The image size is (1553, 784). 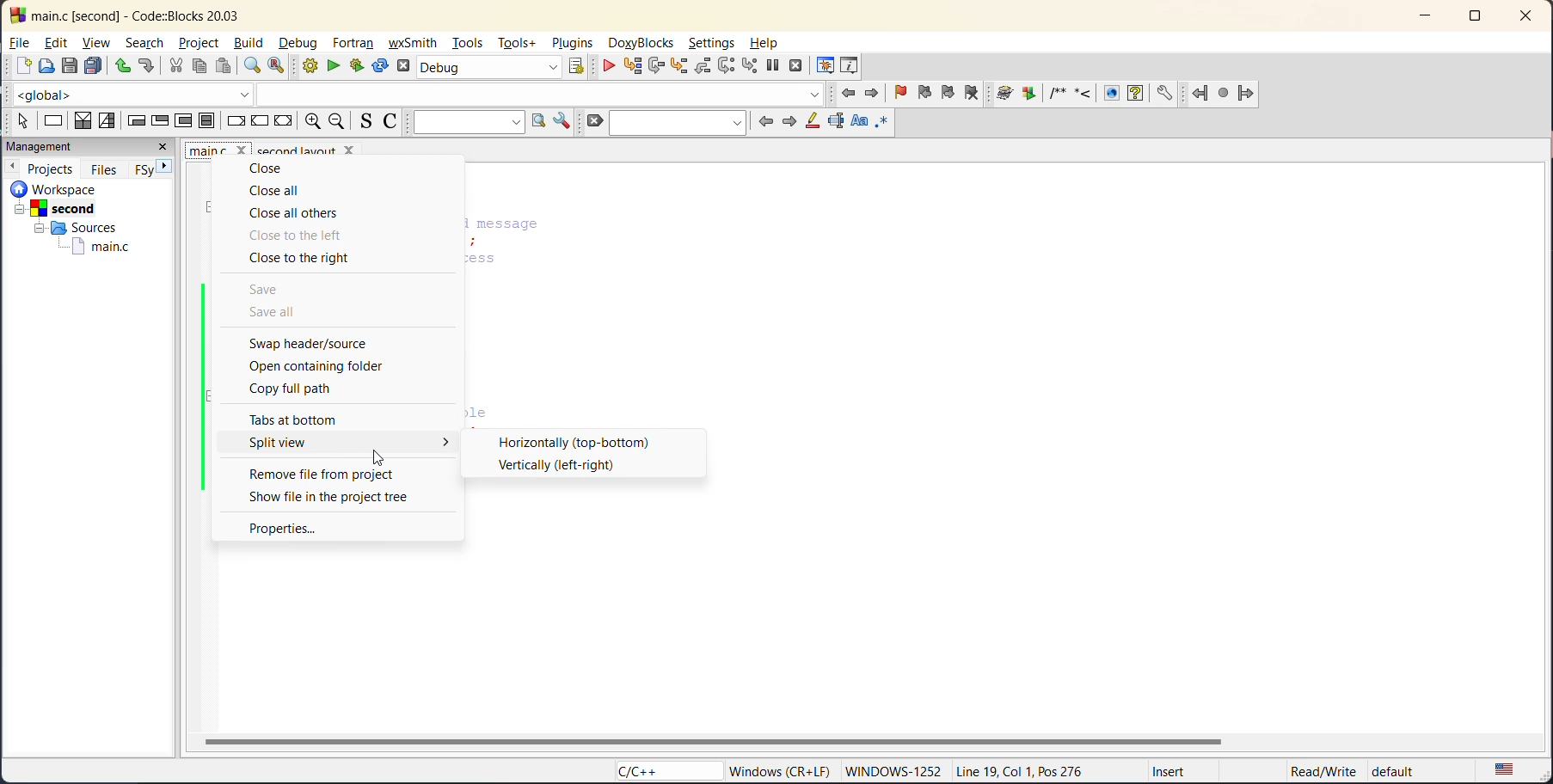 What do you see at coordinates (332, 496) in the screenshot?
I see `show file in the project tree` at bounding box center [332, 496].